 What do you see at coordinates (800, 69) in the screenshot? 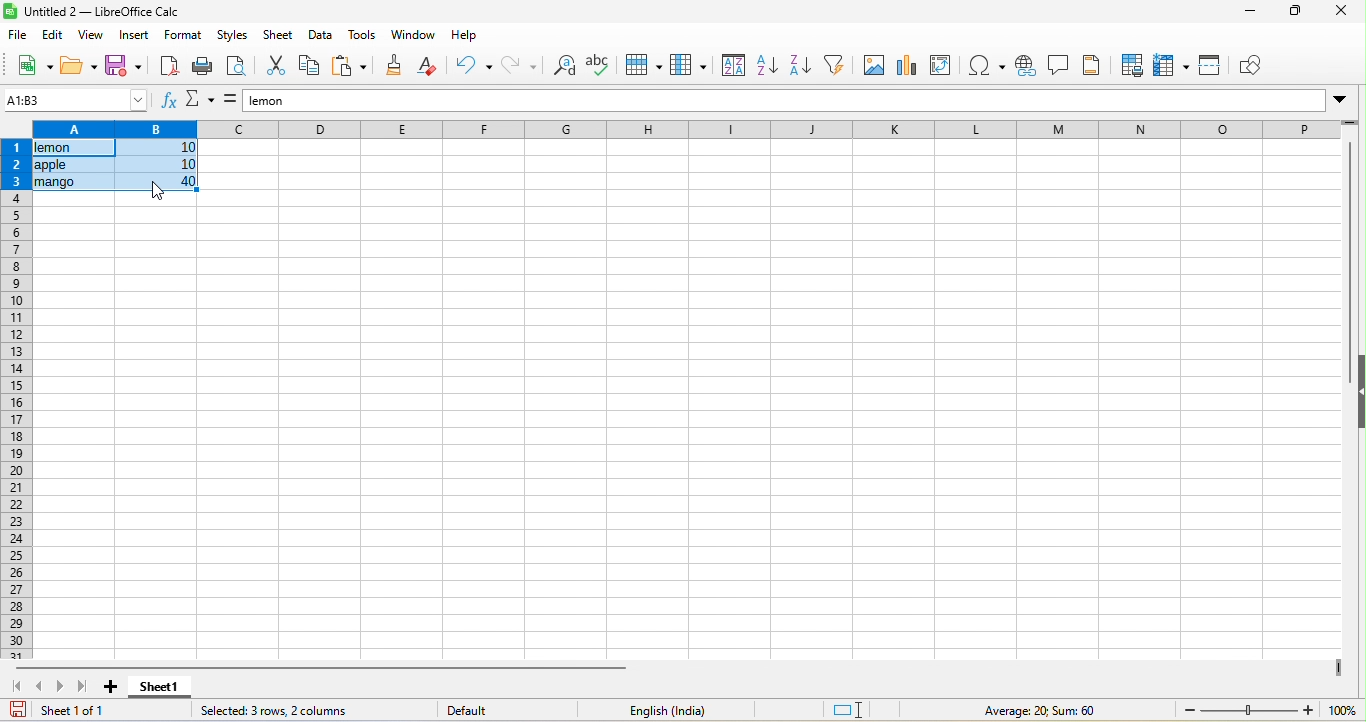
I see `sort descending` at bounding box center [800, 69].